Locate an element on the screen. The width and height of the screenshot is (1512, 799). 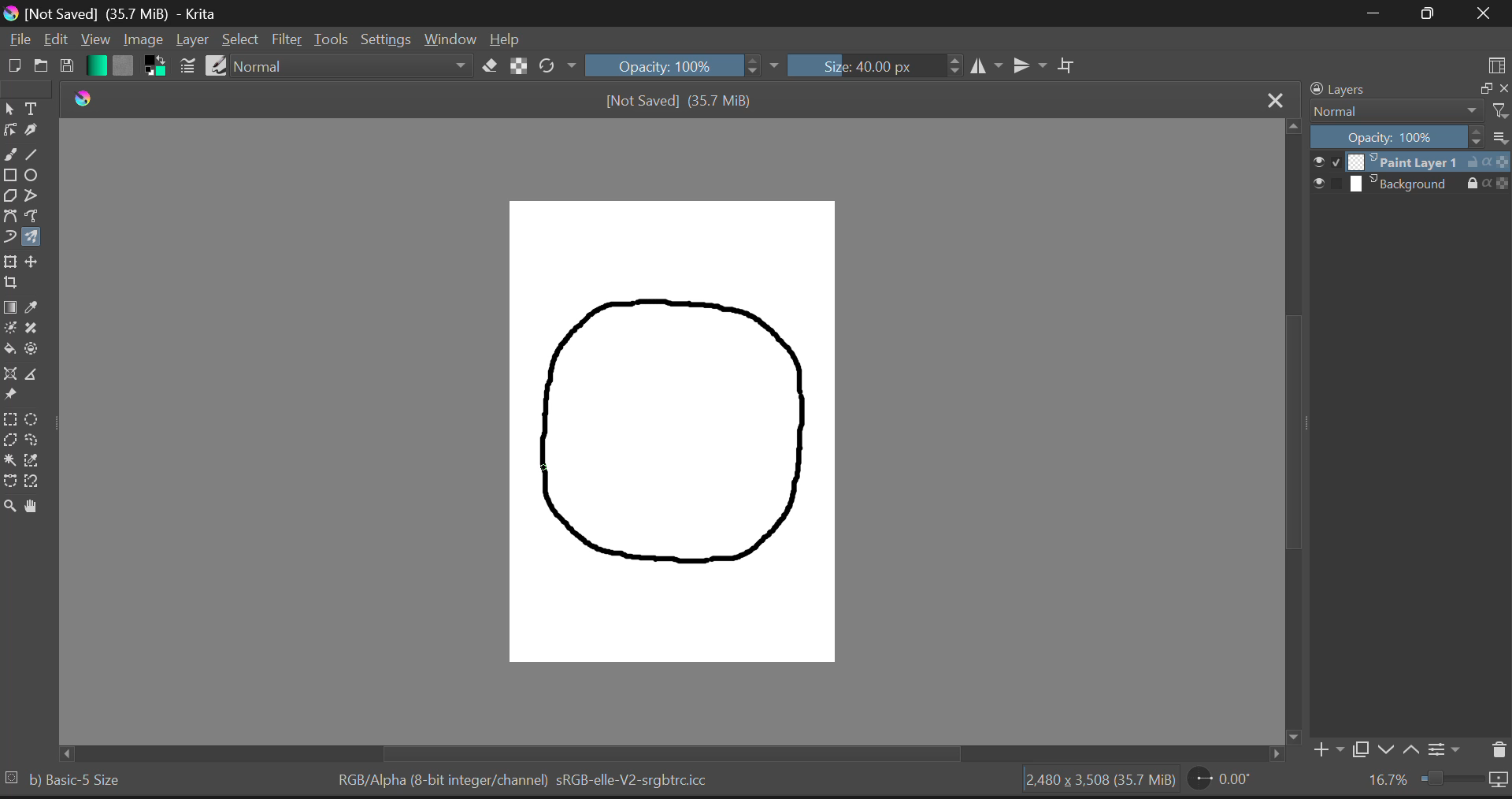
Reference Images is located at coordinates (9, 396).